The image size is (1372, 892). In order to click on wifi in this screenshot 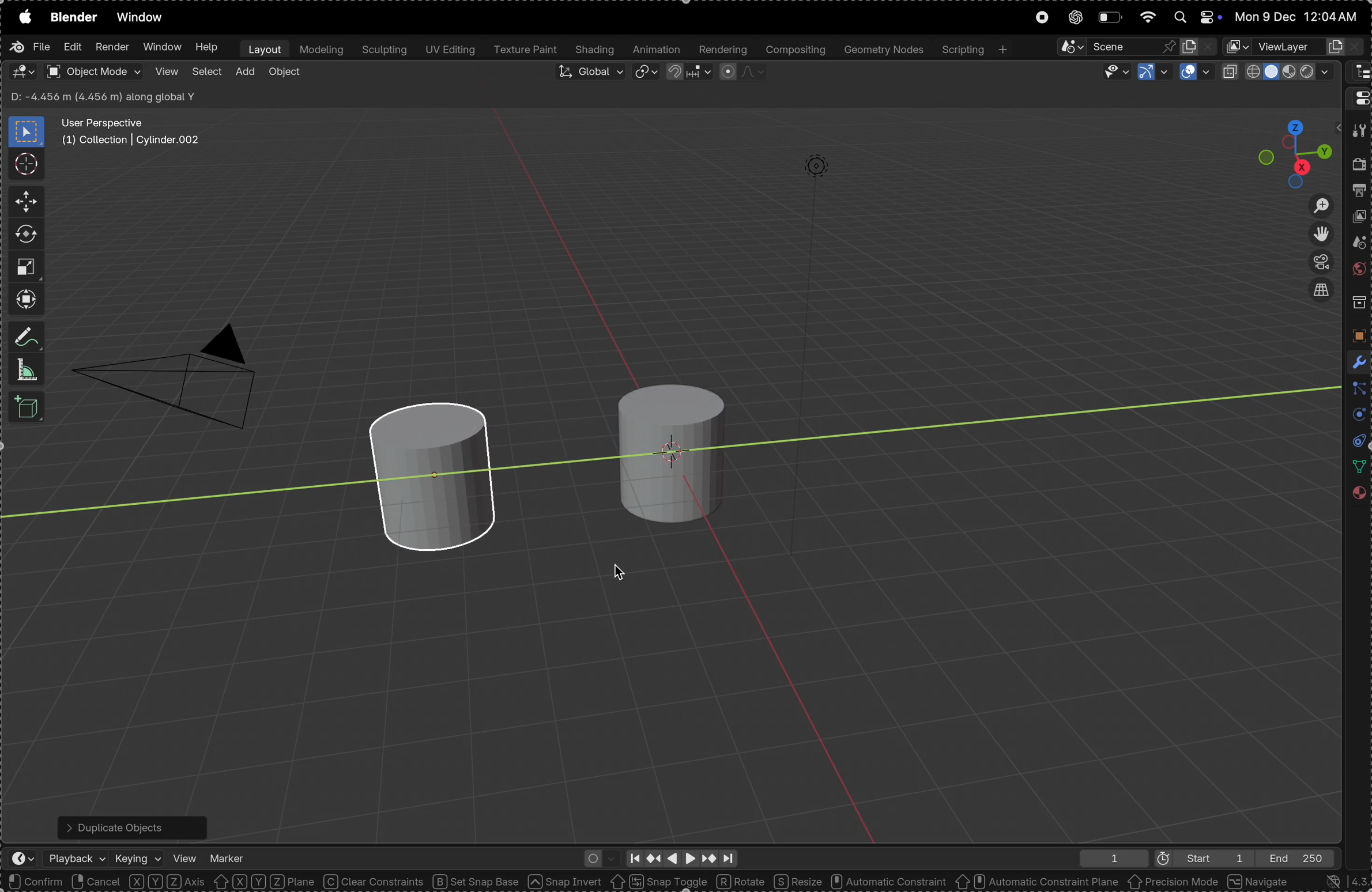, I will do `click(1147, 16)`.